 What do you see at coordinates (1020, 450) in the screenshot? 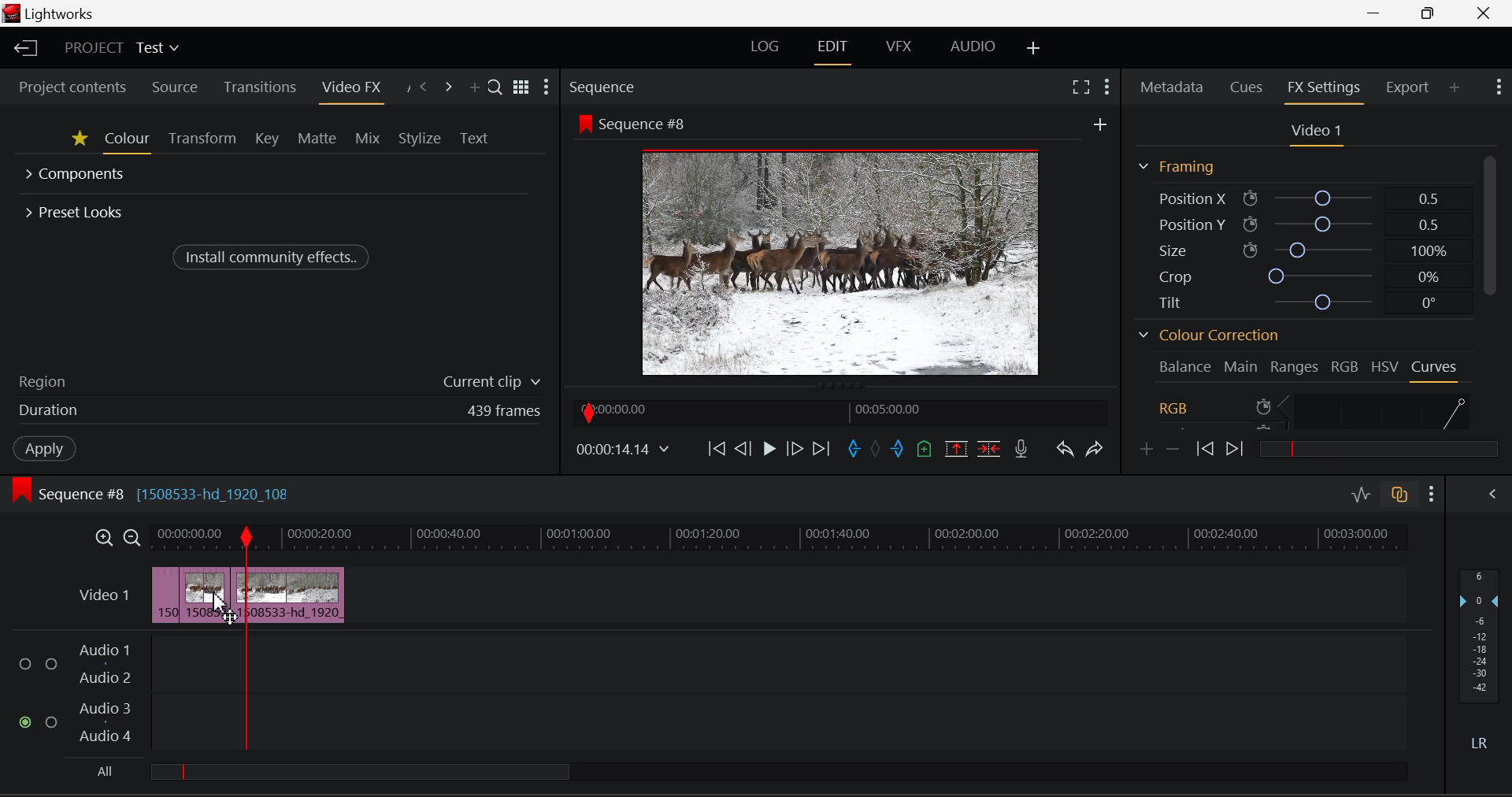
I see `Record Voiceover` at bounding box center [1020, 450].